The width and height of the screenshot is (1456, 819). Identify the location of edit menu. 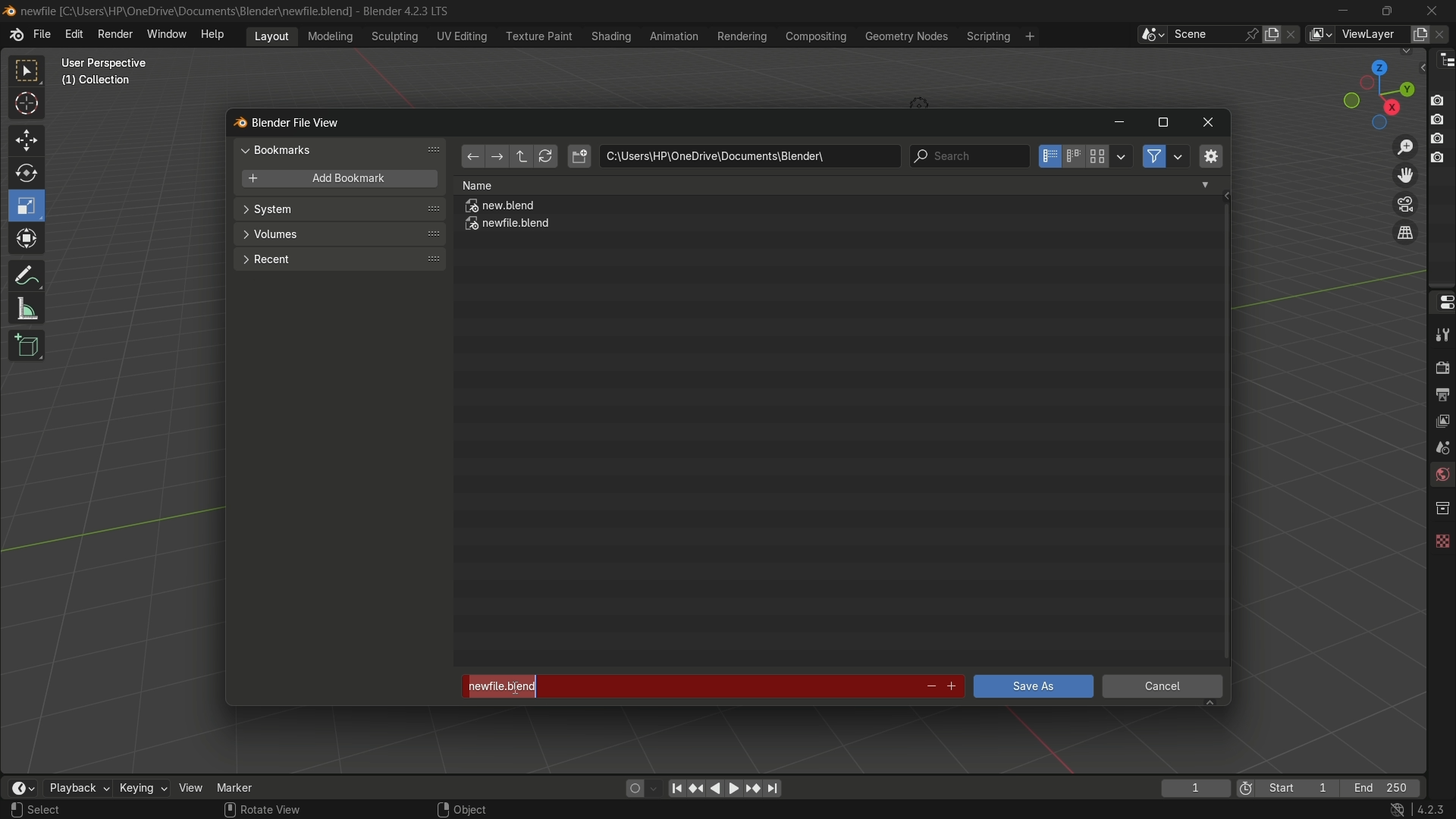
(74, 34).